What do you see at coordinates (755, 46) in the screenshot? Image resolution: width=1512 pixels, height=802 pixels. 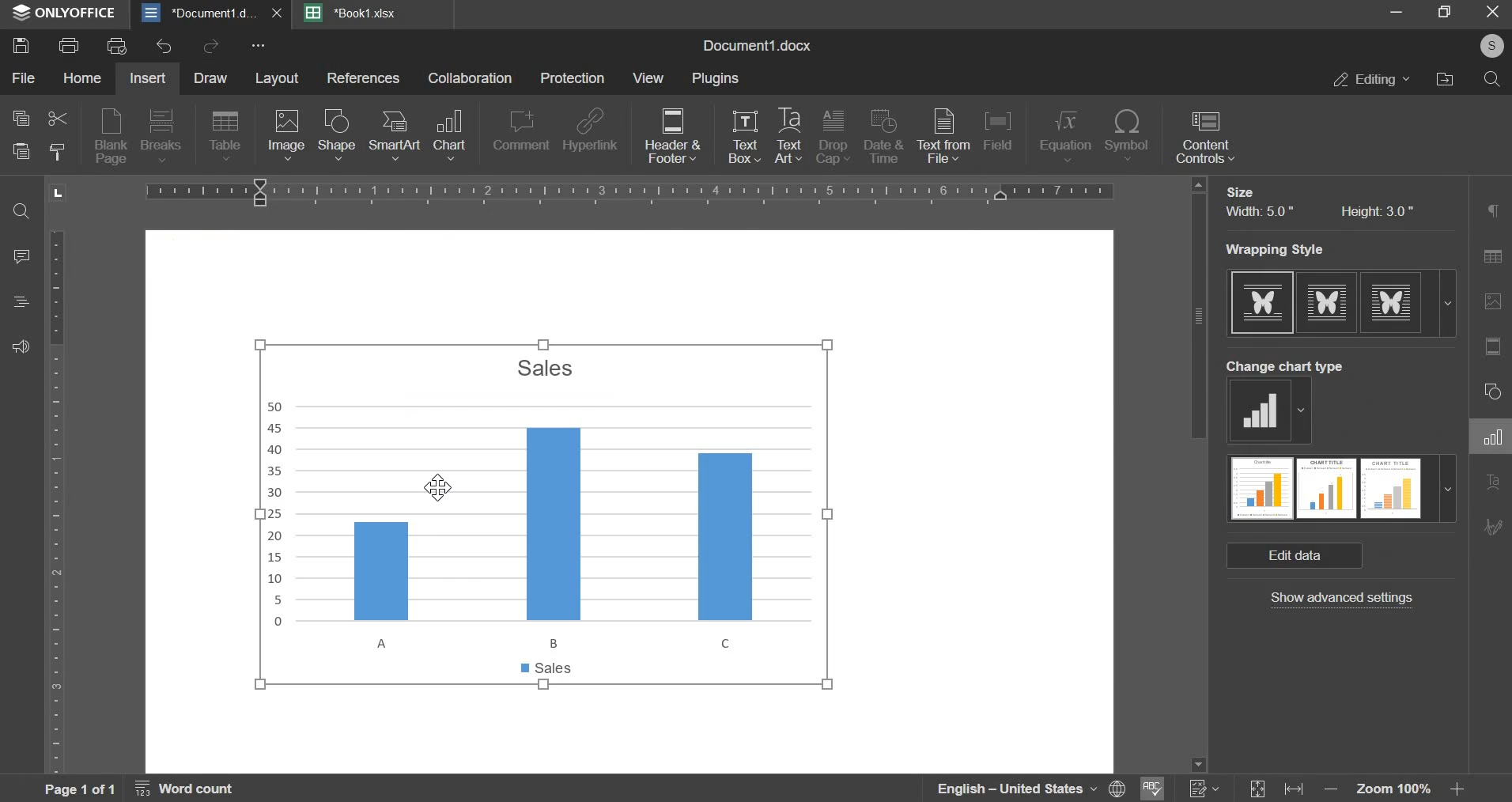 I see `document name` at bounding box center [755, 46].